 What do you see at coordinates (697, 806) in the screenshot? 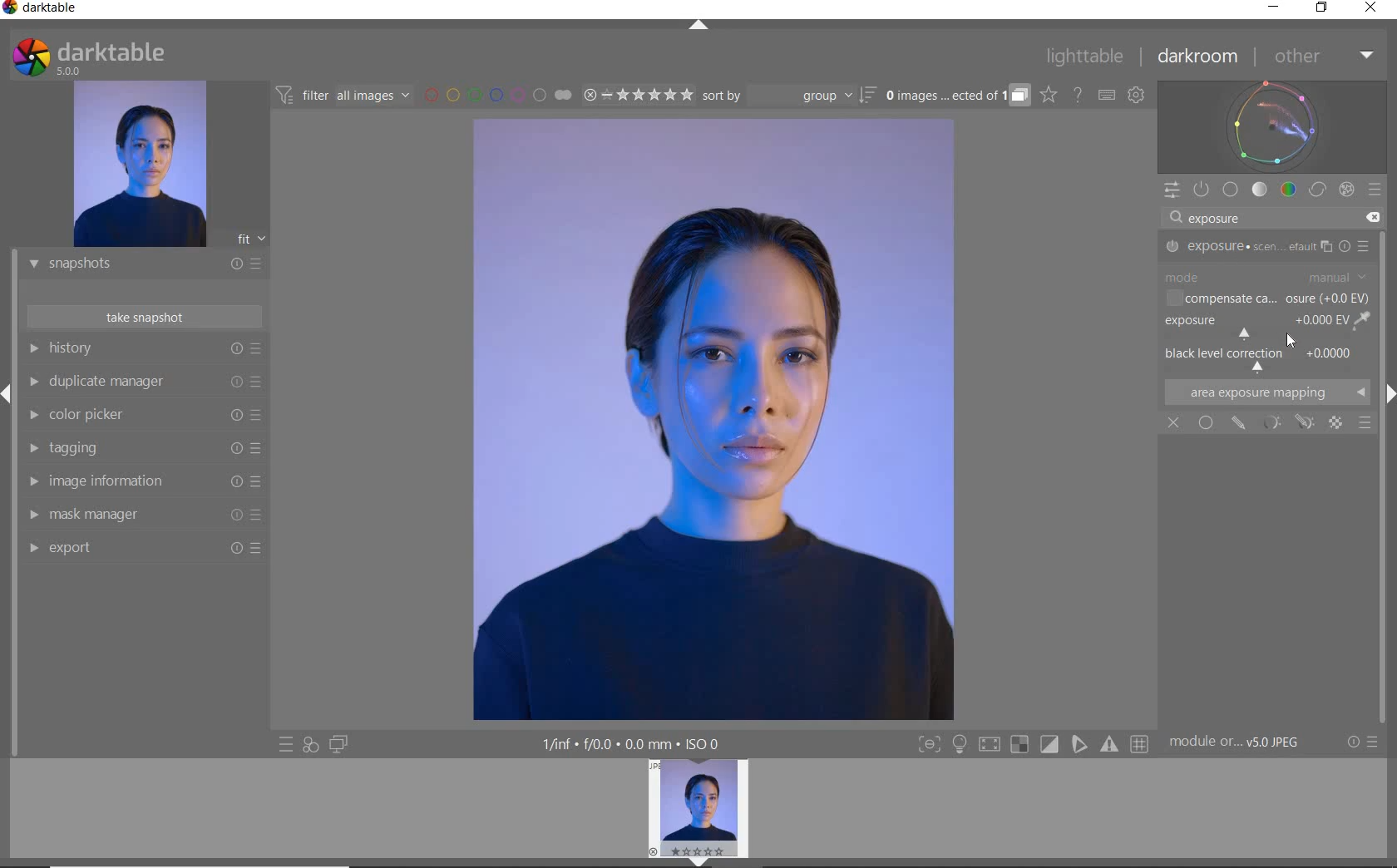
I see `IMAGE PREVIEW` at bounding box center [697, 806].